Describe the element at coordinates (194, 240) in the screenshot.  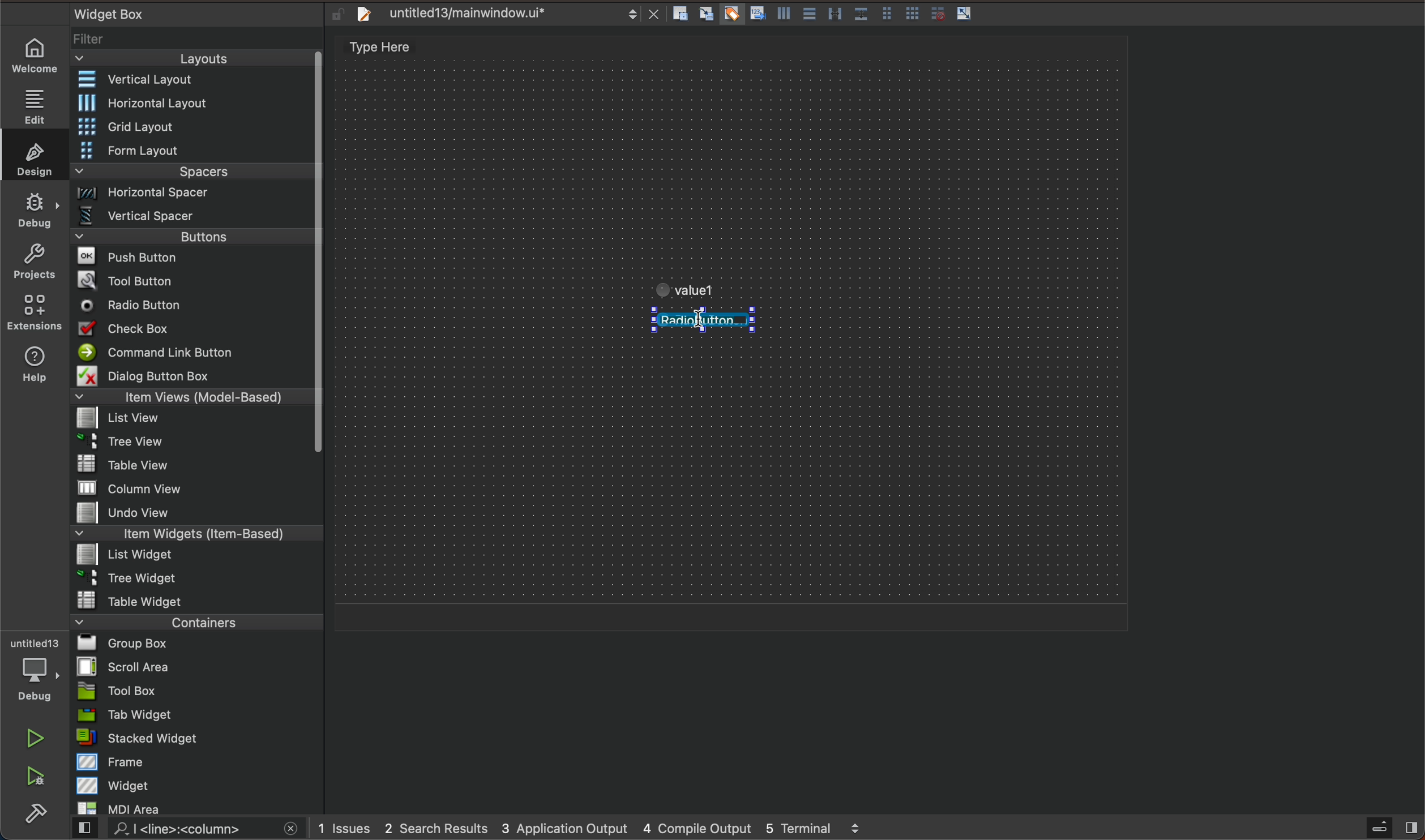
I see `` at that location.